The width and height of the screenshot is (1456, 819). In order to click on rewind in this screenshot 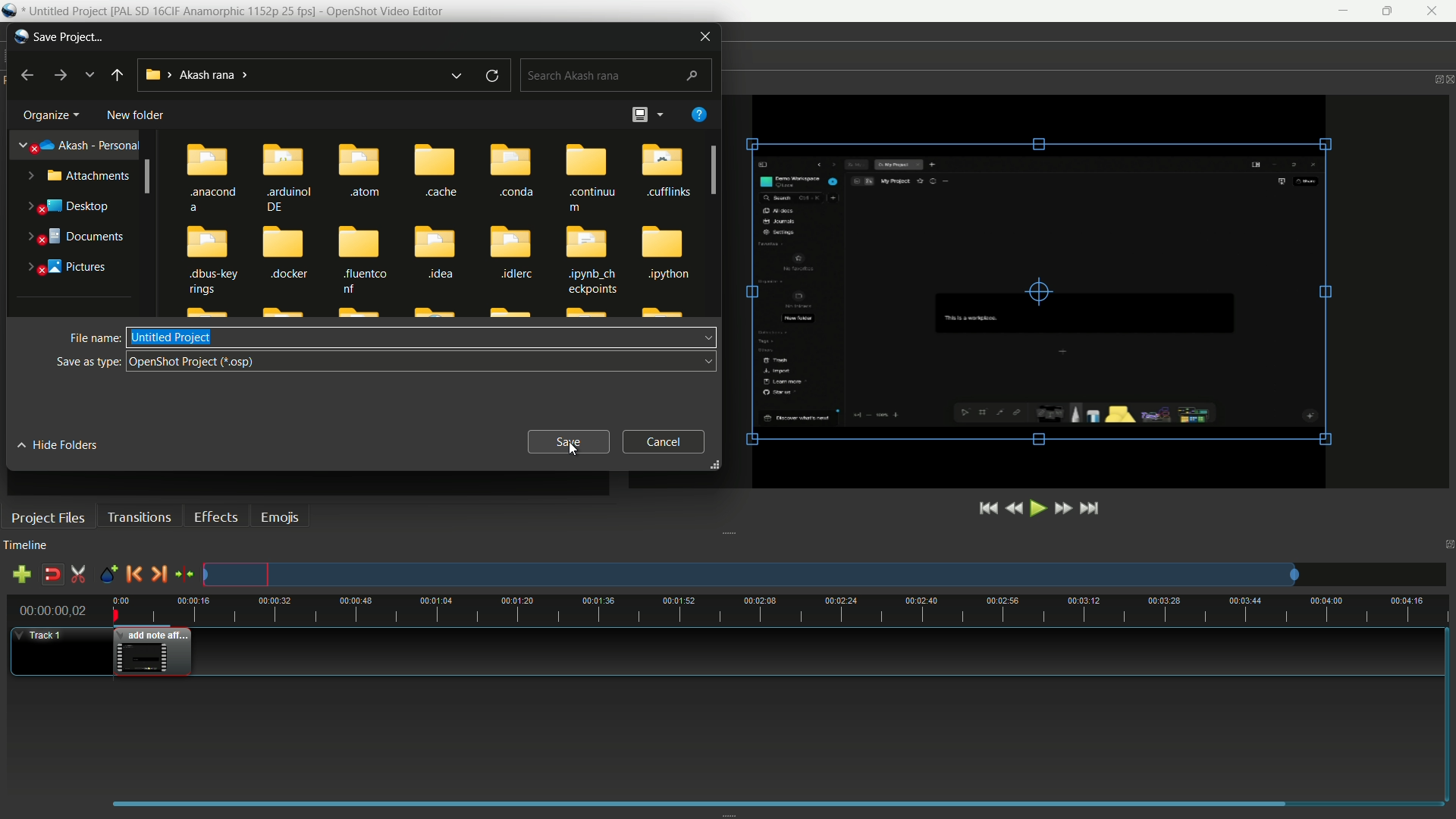, I will do `click(1016, 508)`.